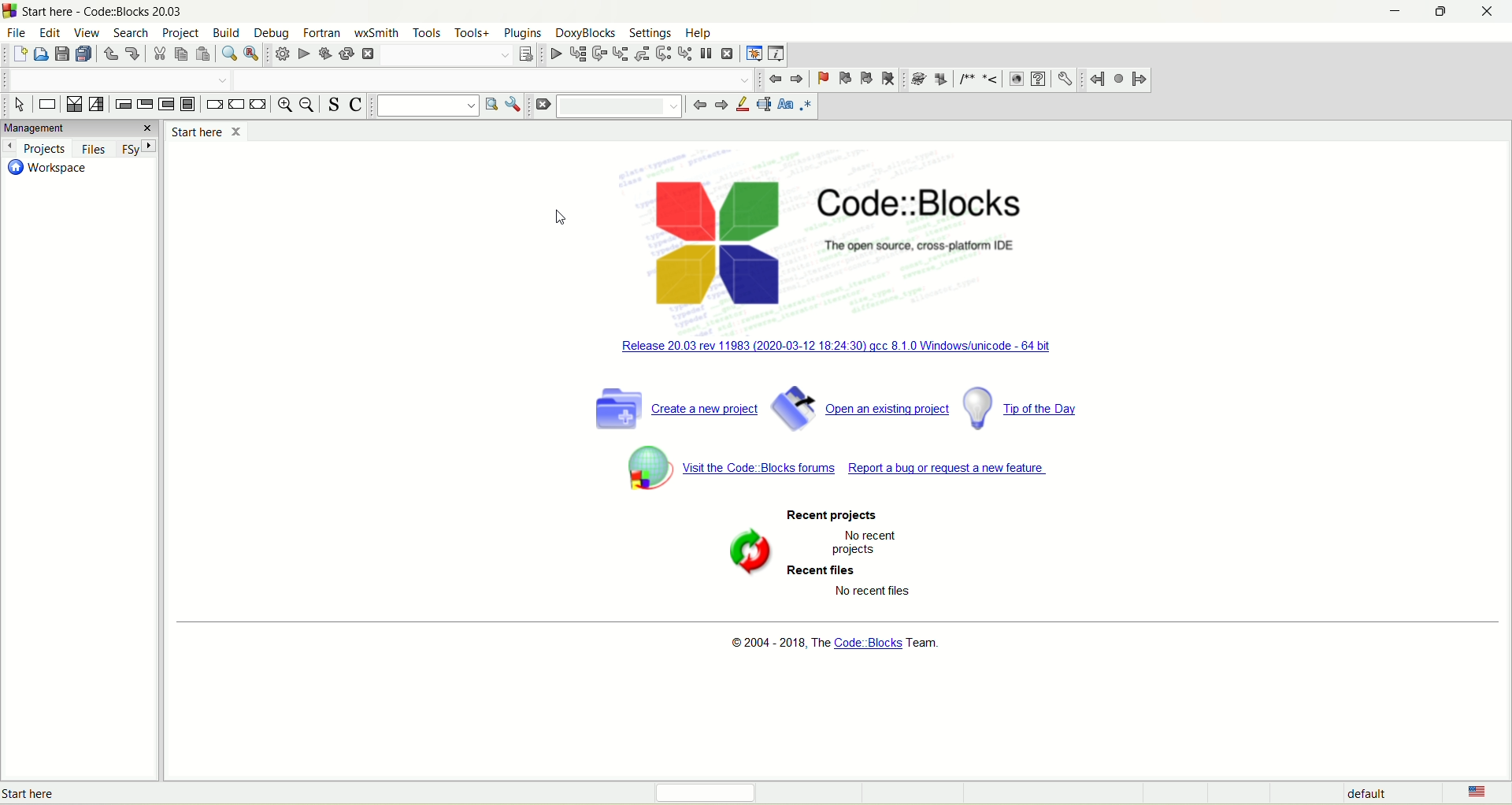 The image size is (1512, 805). What do you see at coordinates (324, 32) in the screenshot?
I see `fortan` at bounding box center [324, 32].